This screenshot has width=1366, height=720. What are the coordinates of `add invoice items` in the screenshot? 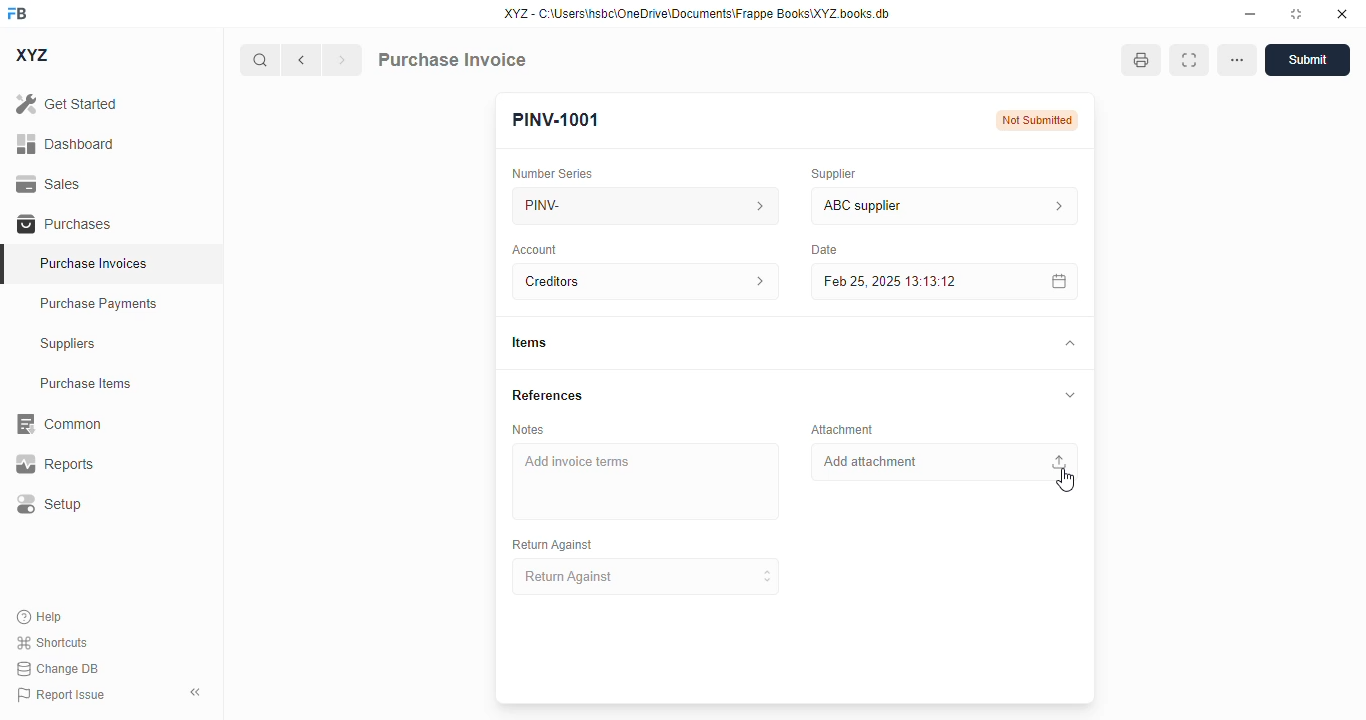 It's located at (644, 481).